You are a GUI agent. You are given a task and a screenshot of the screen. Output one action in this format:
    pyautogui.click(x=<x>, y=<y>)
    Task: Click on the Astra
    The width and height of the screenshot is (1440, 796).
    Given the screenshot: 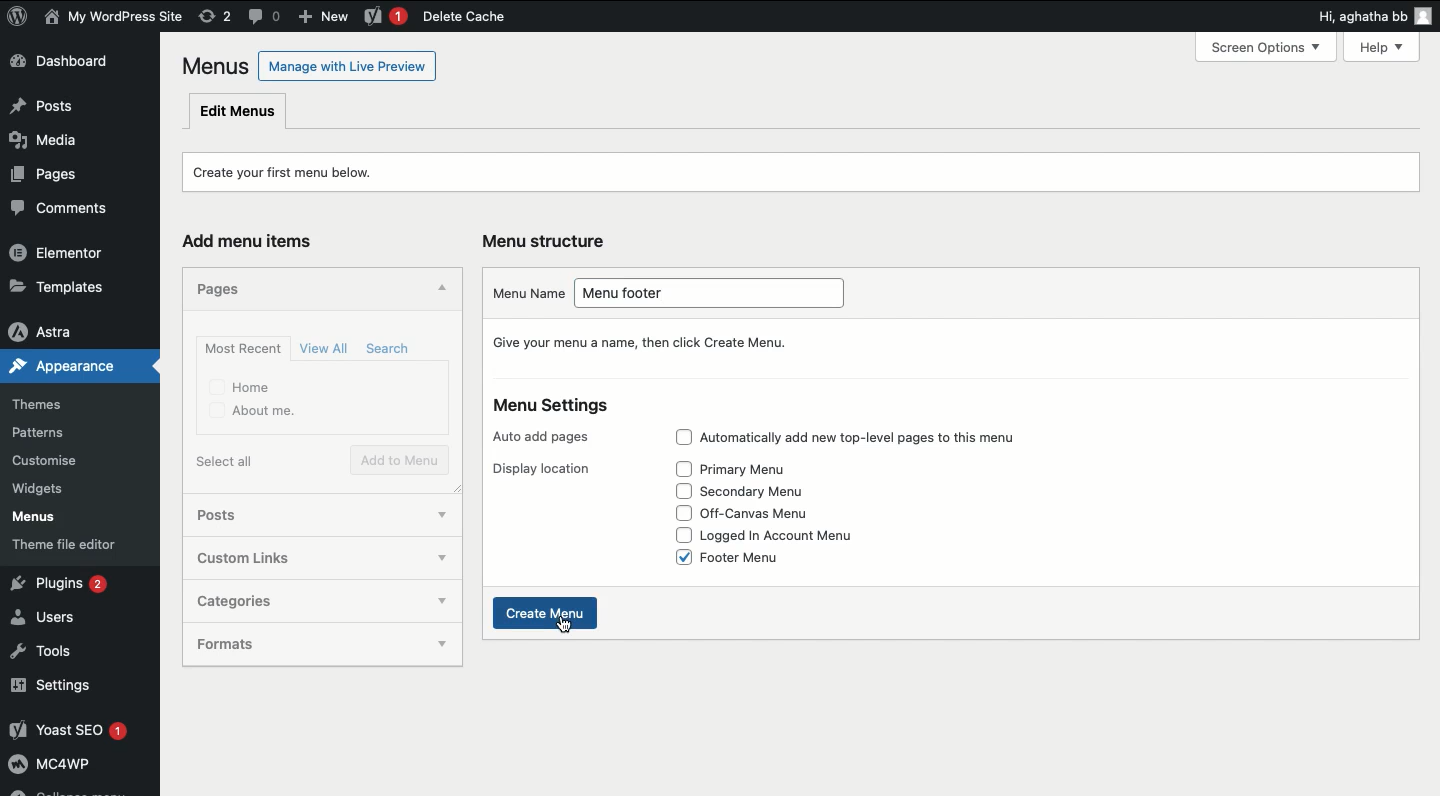 What is the action you would take?
    pyautogui.click(x=71, y=331)
    